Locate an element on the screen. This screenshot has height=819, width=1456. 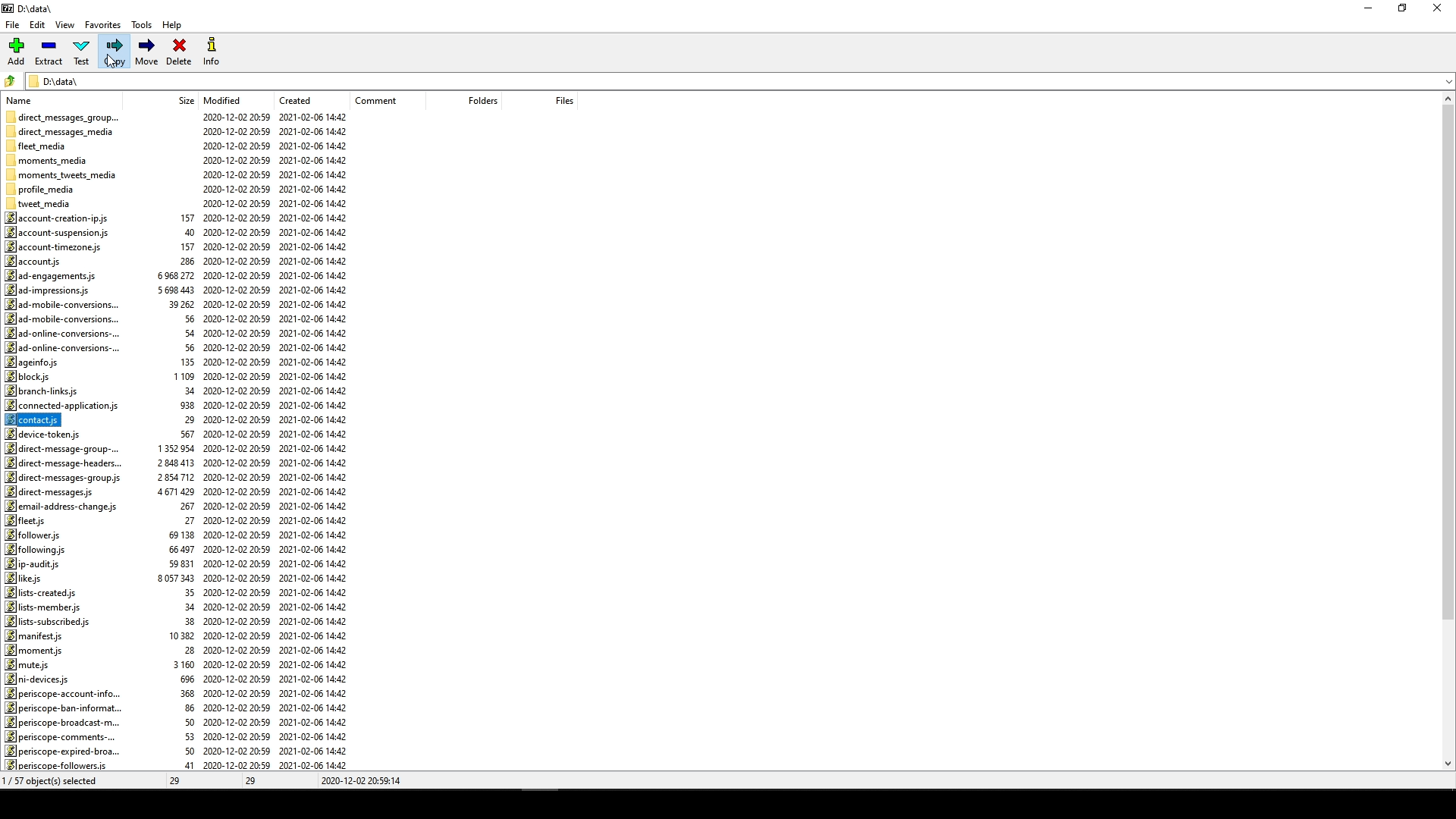
29 is located at coordinates (254, 782).